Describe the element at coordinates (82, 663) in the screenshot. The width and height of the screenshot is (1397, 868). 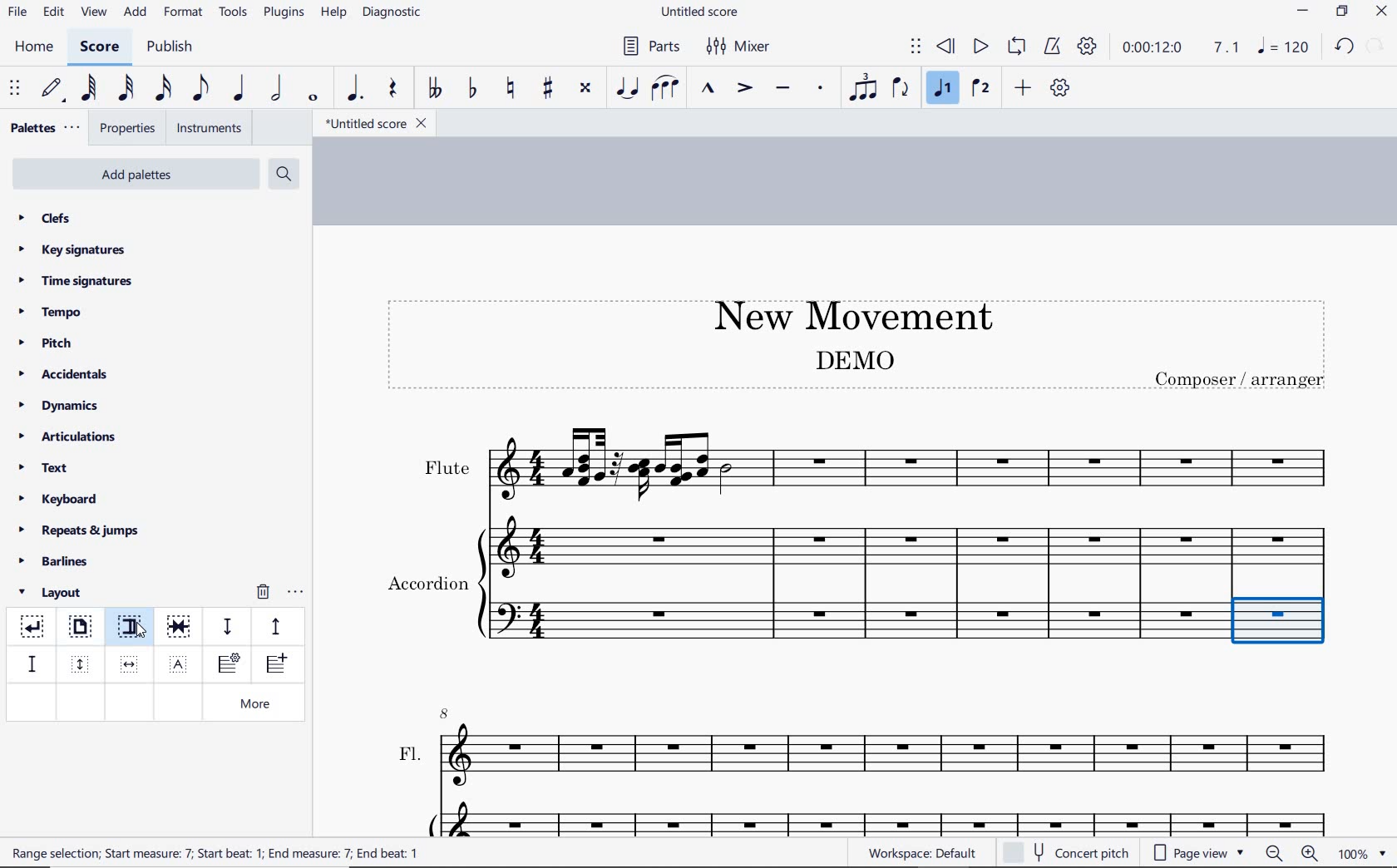
I see `insert vertical frame` at that location.